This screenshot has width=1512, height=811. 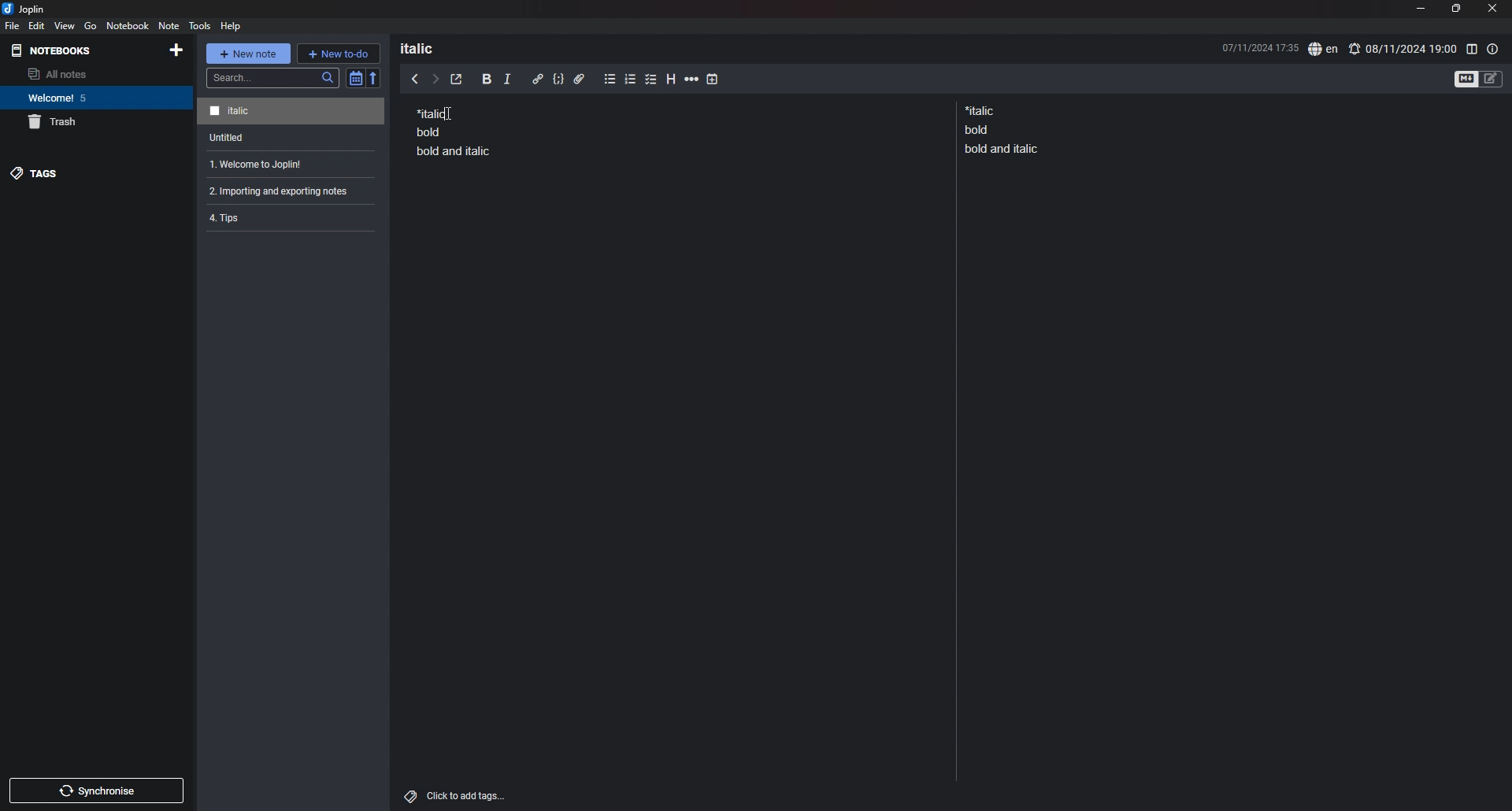 What do you see at coordinates (691, 81) in the screenshot?
I see `horizontal rule` at bounding box center [691, 81].